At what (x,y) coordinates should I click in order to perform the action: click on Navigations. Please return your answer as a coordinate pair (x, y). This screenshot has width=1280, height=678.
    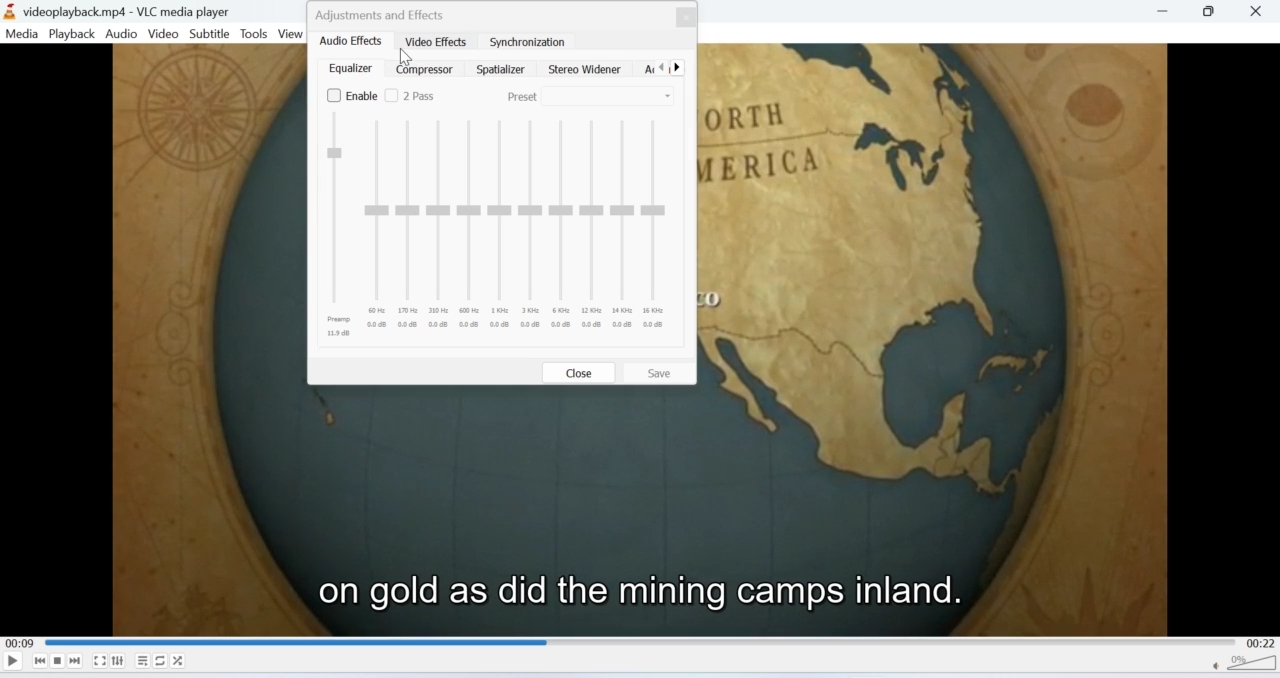
    Looking at the image, I should click on (672, 68).